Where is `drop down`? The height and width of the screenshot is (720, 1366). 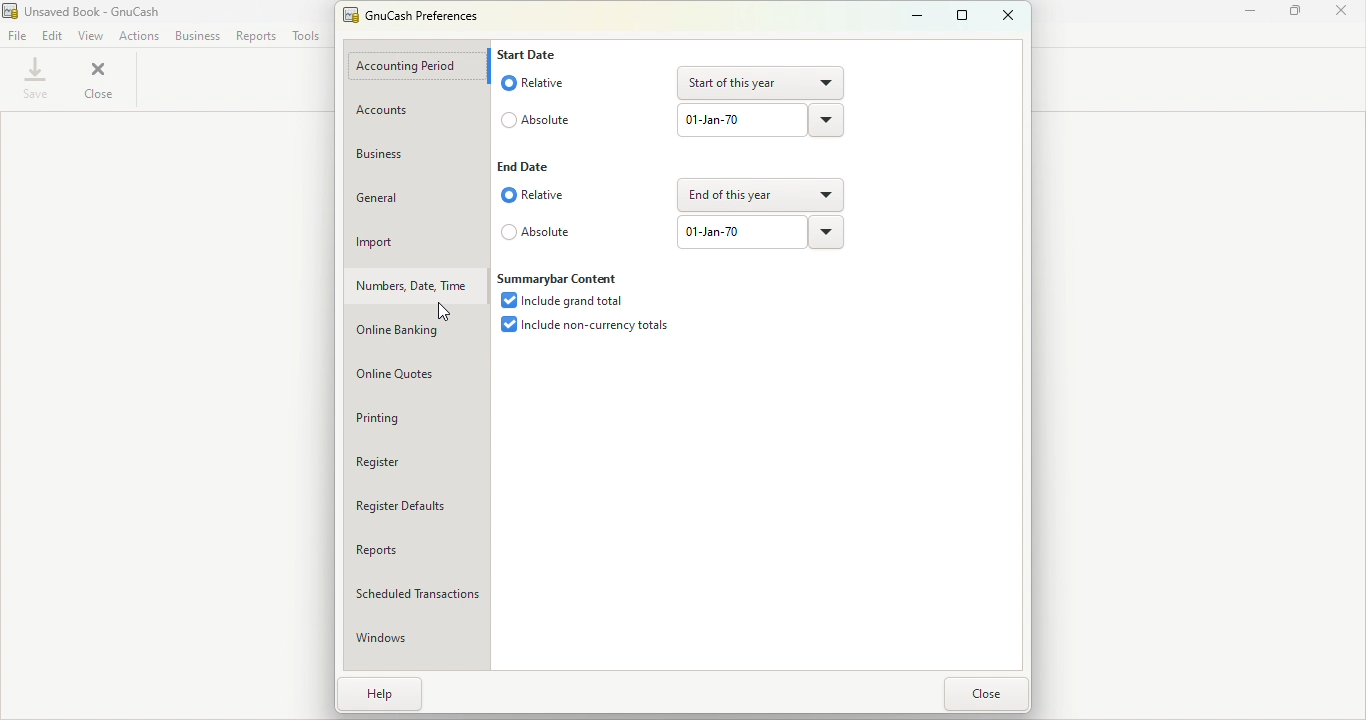
drop down is located at coordinates (830, 234).